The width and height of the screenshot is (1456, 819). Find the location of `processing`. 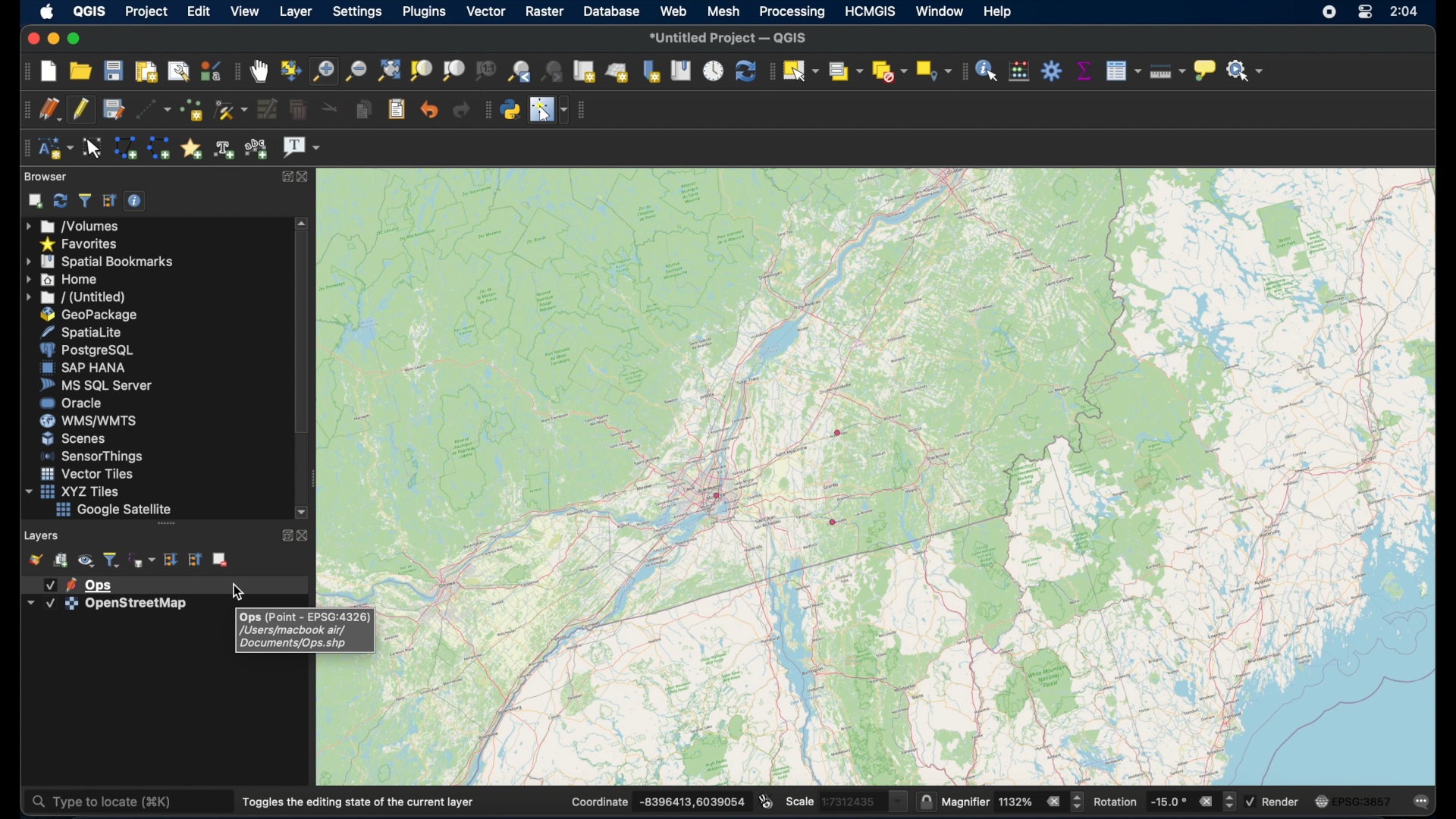

processing is located at coordinates (792, 13).